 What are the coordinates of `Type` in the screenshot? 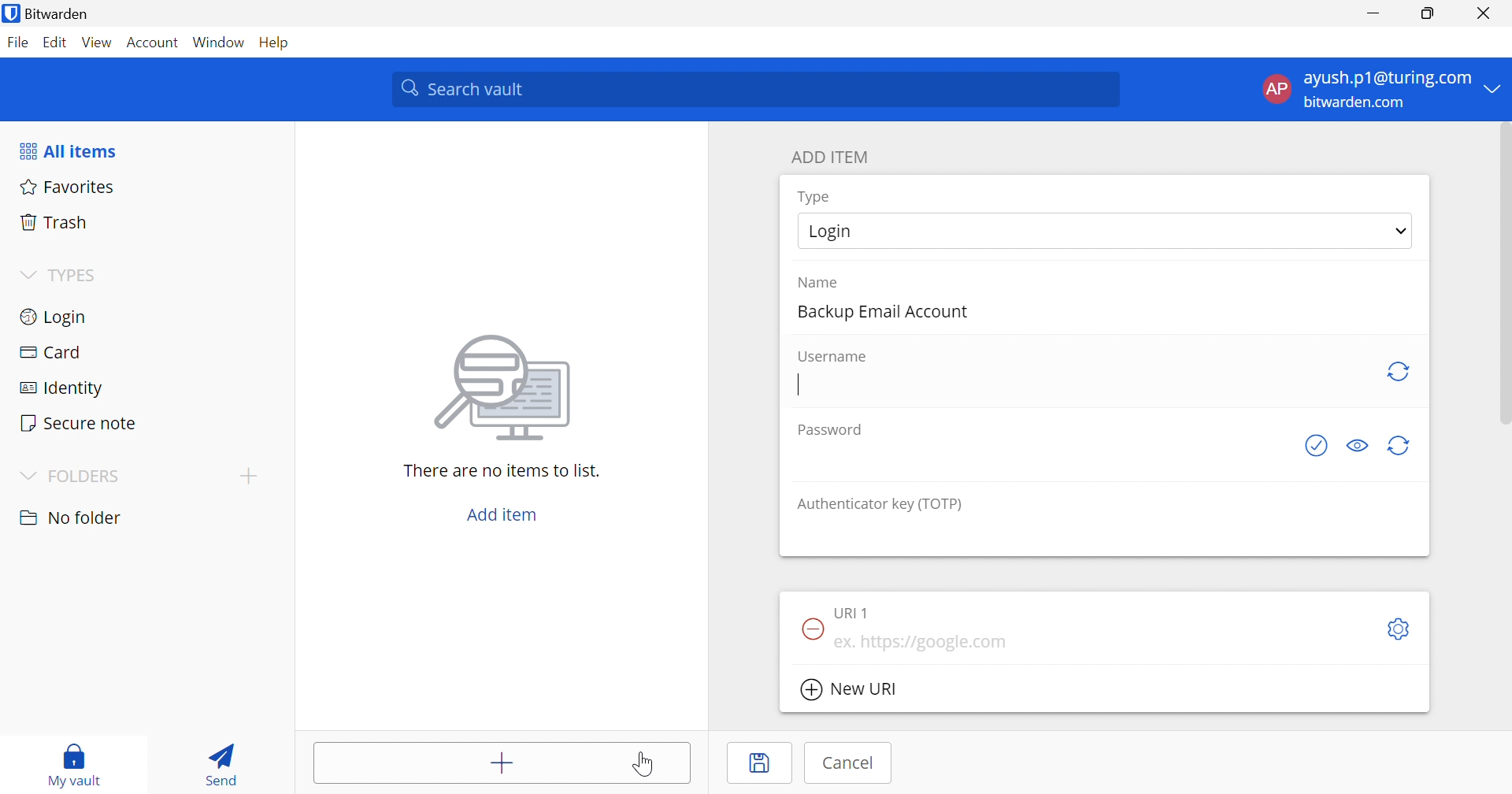 It's located at (816, 198).